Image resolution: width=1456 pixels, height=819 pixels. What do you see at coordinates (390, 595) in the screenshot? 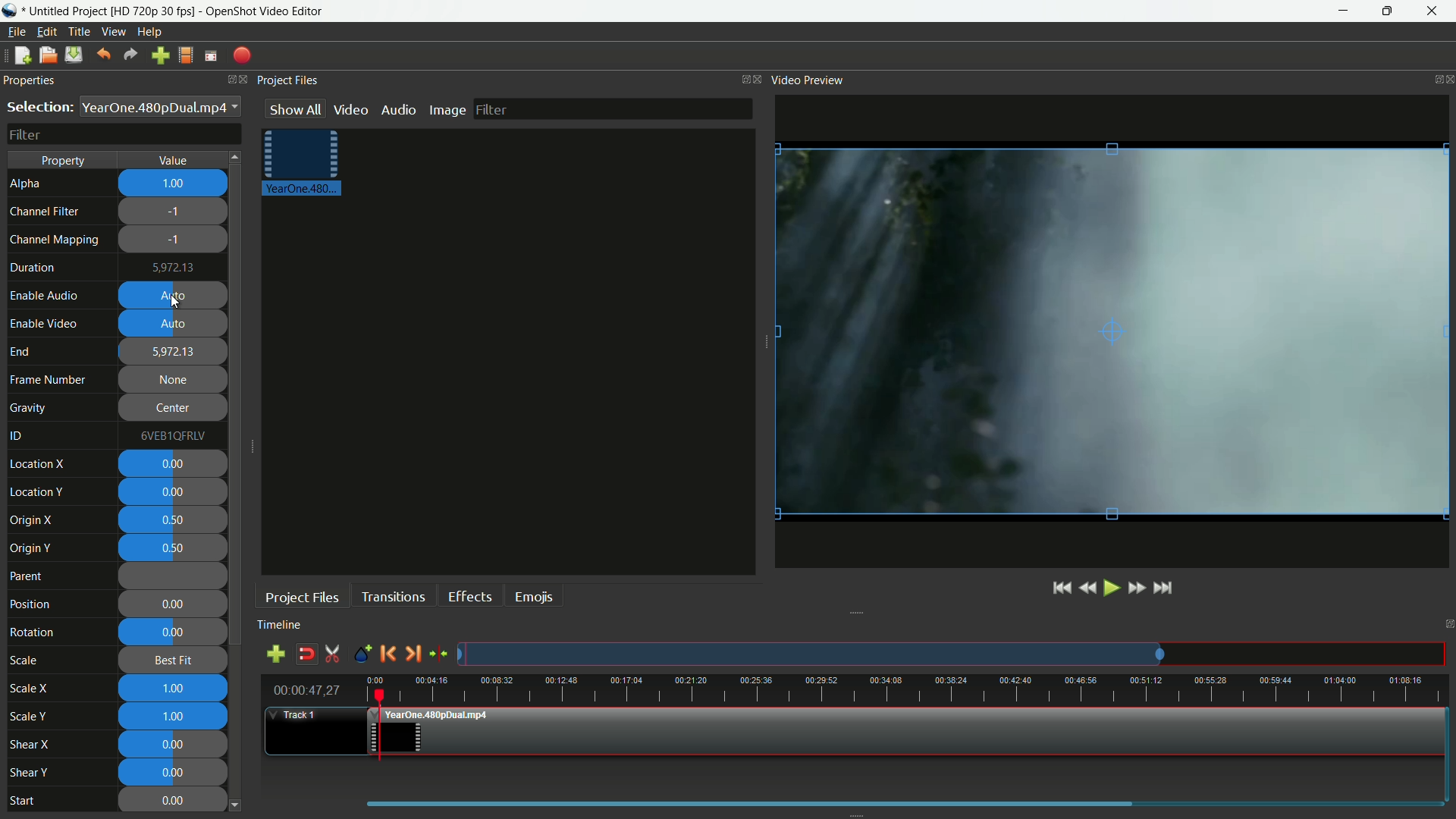
I see `transitions` at bounding box center [390, 595].